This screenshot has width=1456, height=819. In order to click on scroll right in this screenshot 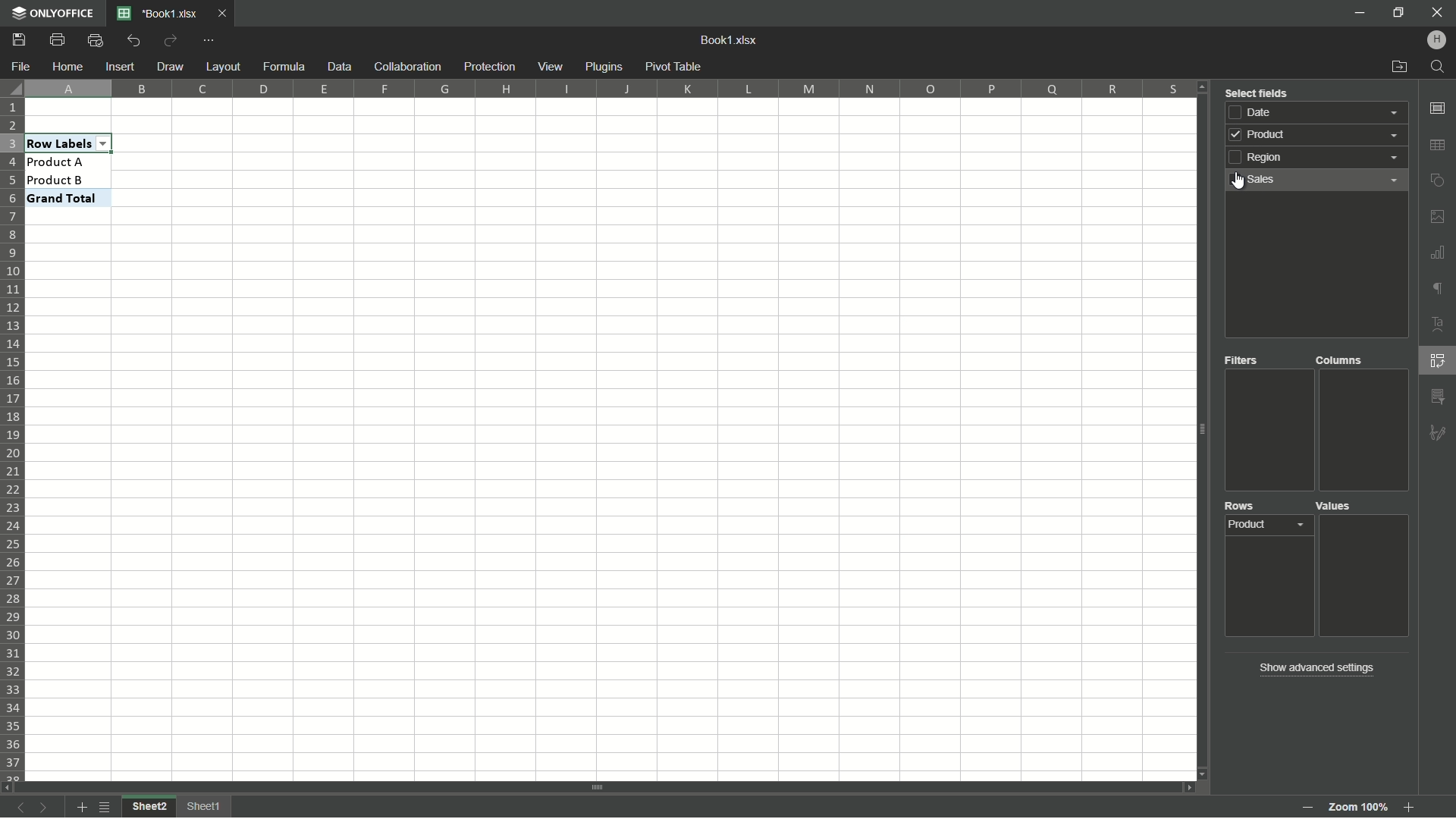, I will do `click(1183, 787)`.